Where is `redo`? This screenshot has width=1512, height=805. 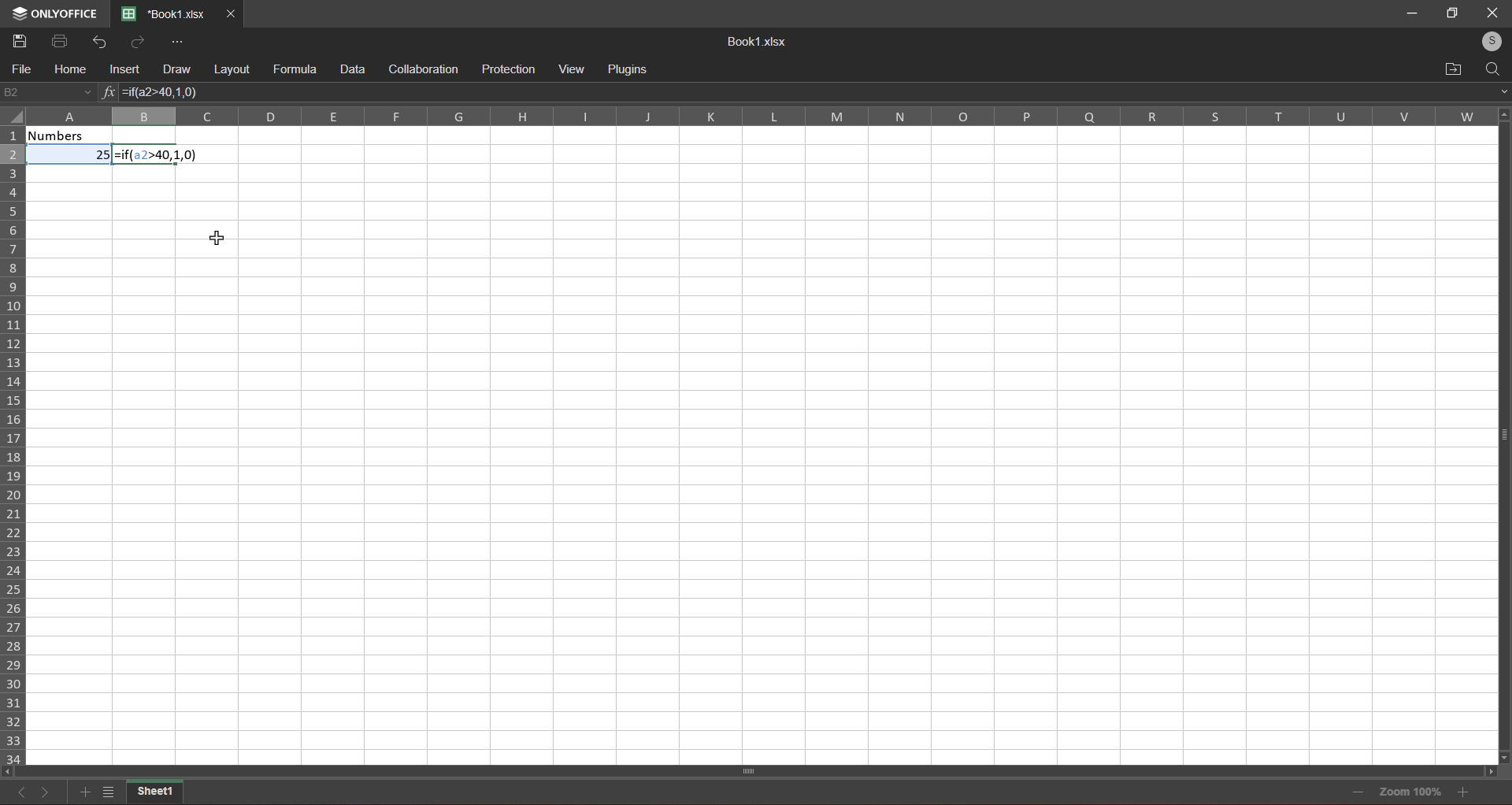
redo is located at coordinates (135, 42).